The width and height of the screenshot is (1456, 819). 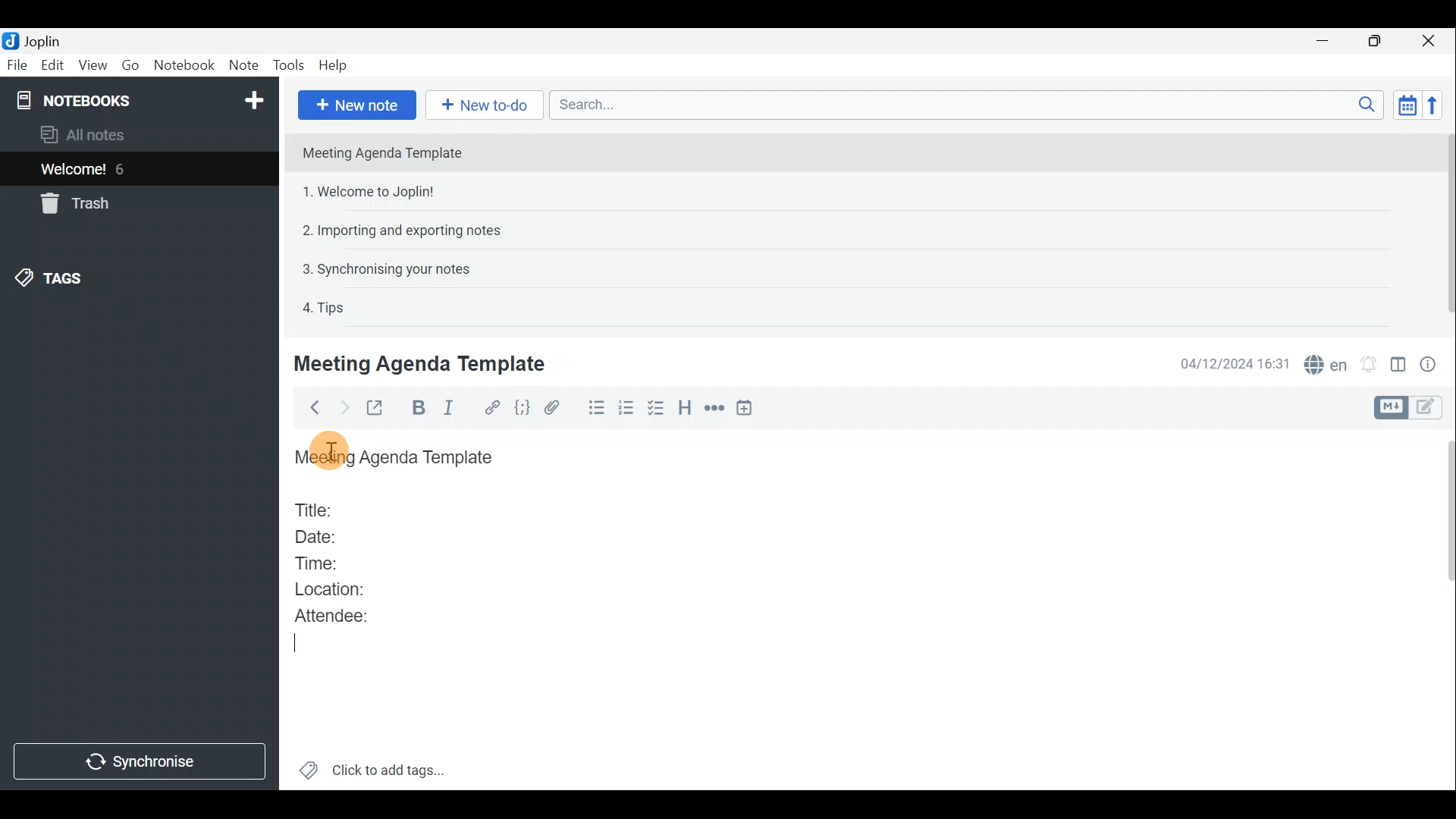 I want to click on Code, so click(x=524, y=409).